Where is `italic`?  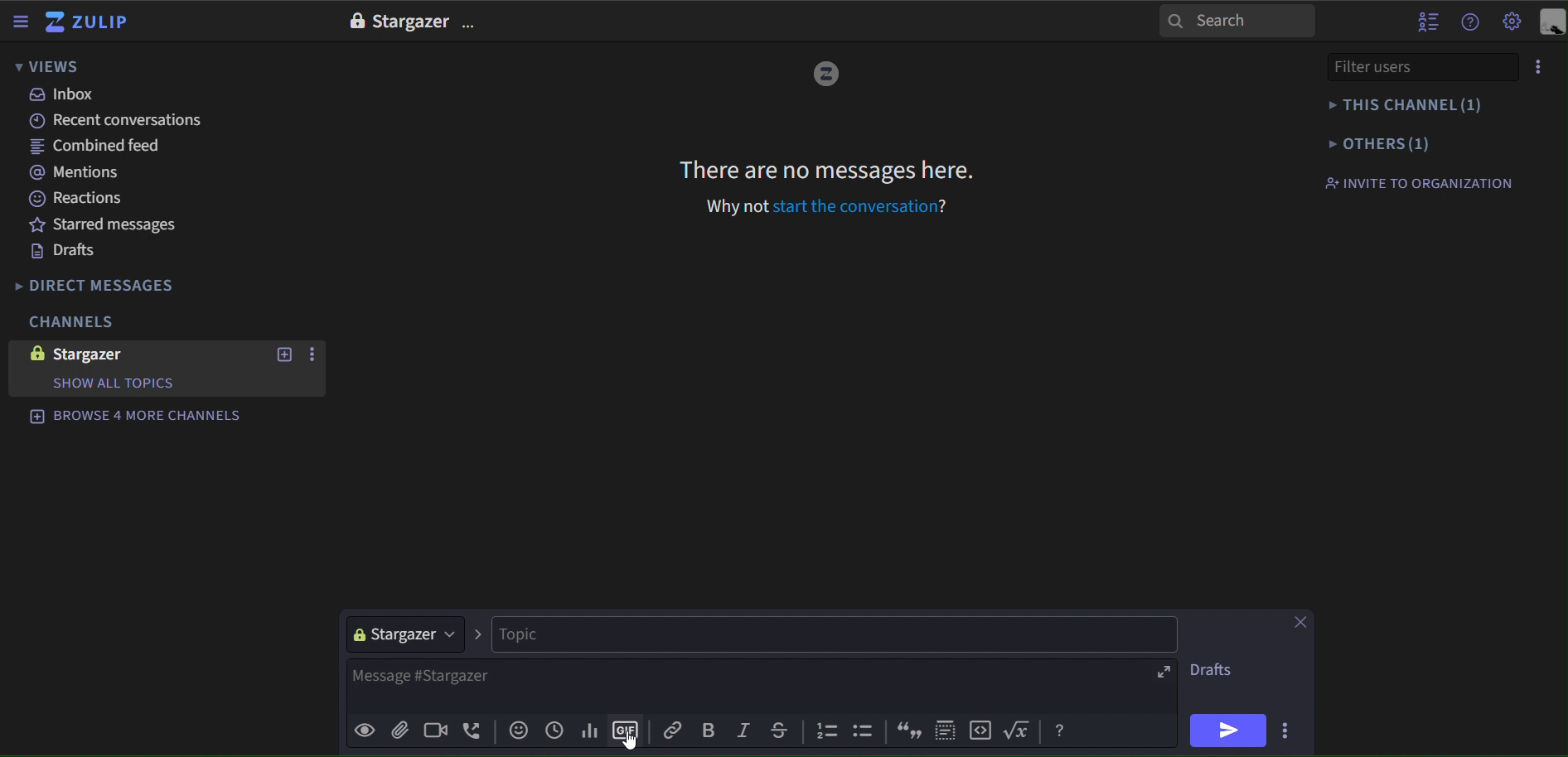
italic is located at coordinates (743, 731).